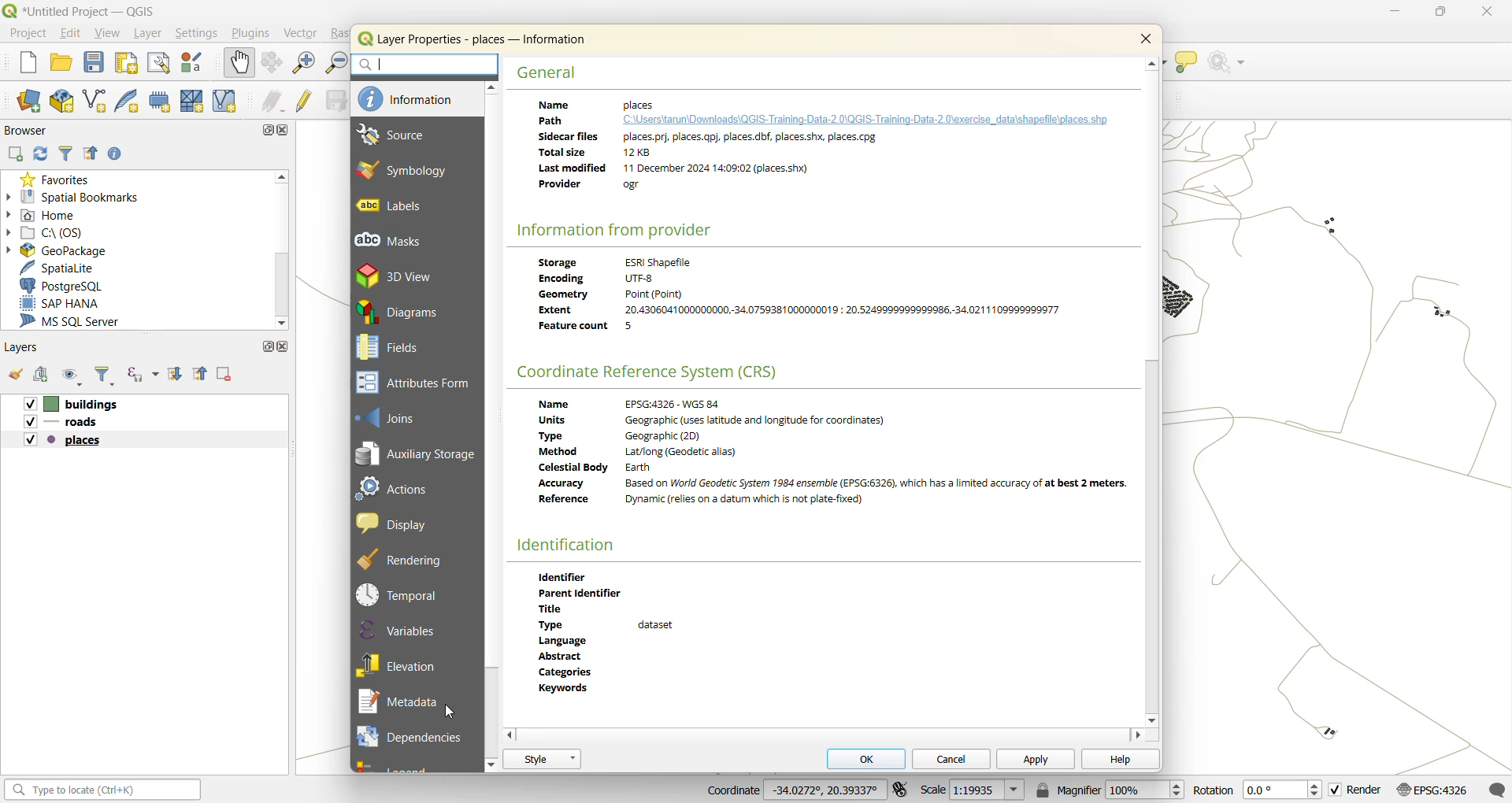  Describe the element at coordinates (53, 216) in the screenshot. I see `home` at that location.